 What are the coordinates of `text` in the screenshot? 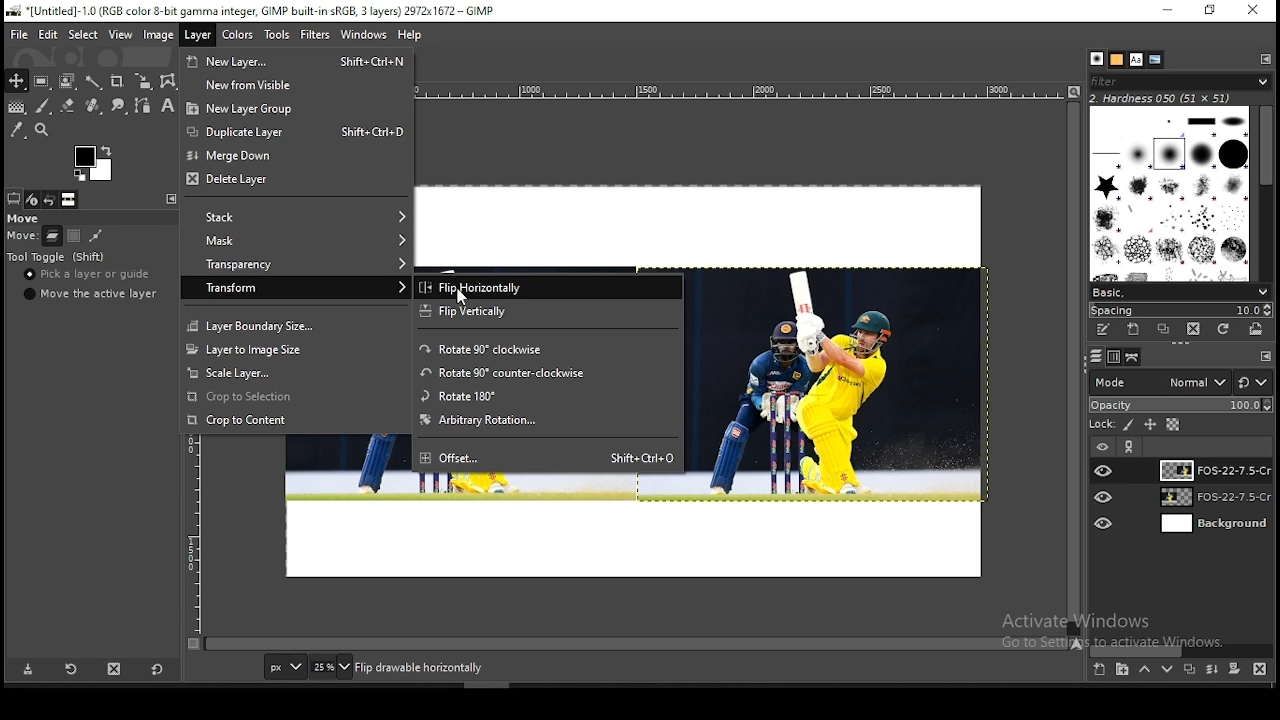 It's located at (1162, 97).